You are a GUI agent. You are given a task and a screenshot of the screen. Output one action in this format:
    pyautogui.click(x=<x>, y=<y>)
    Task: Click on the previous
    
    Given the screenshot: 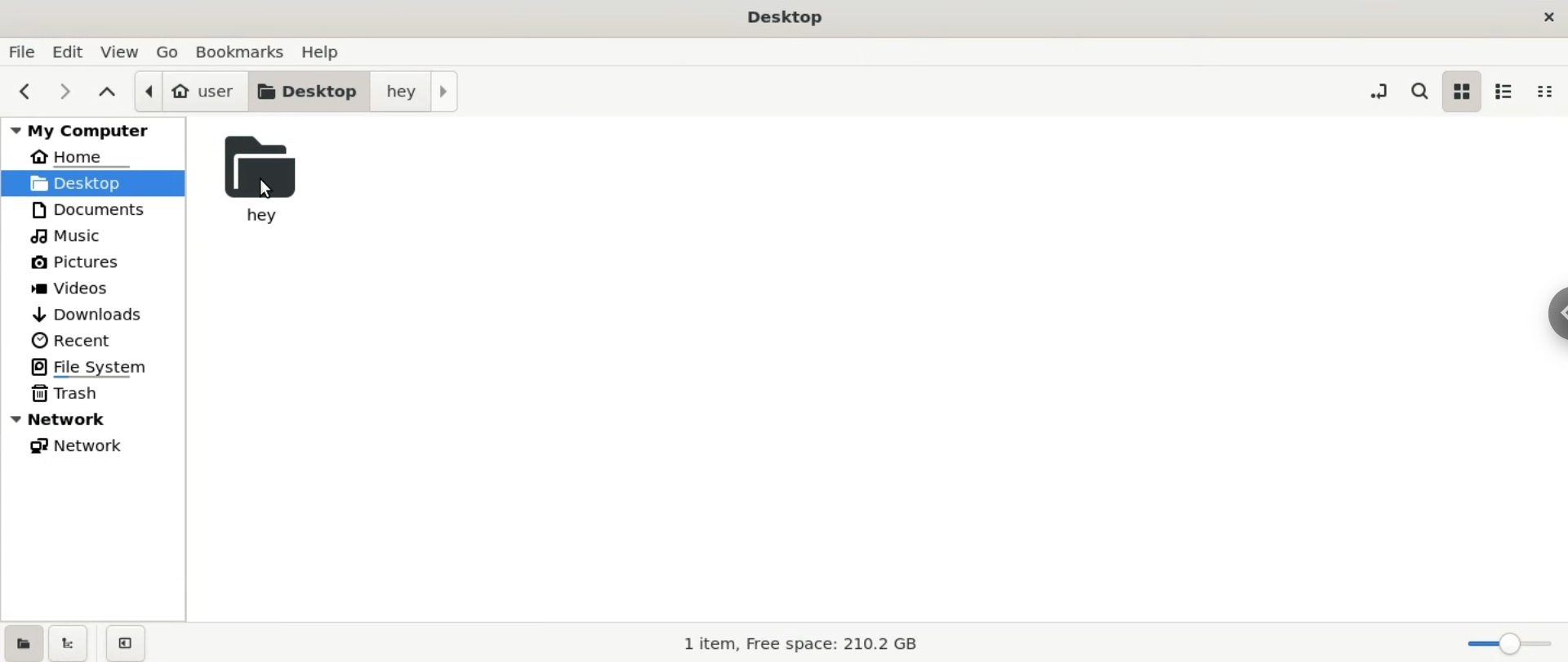 What is the action you would take?
    pyautogui.click(x=22, y=89)
    